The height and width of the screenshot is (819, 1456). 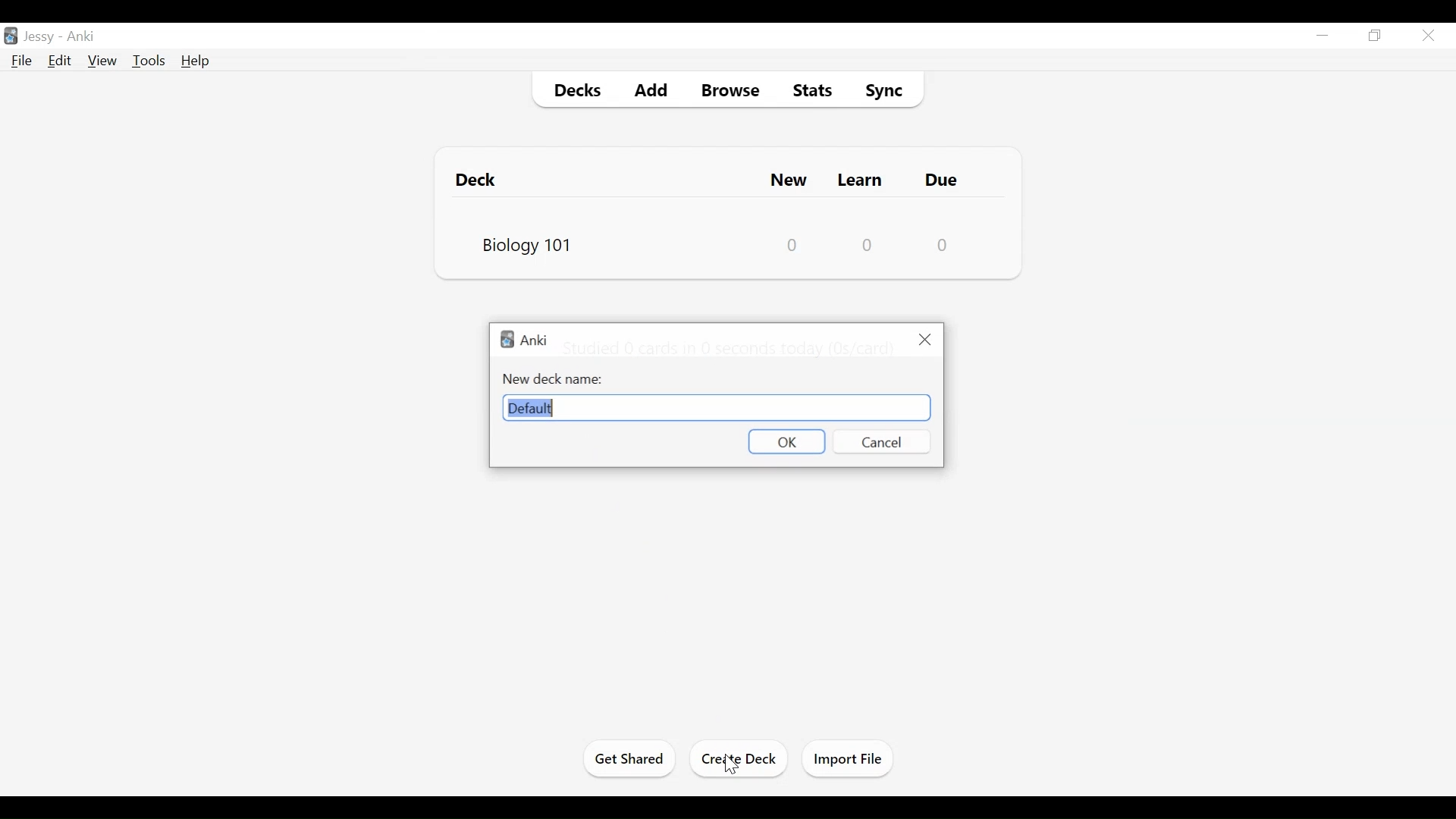 What do you see at coordinates (944, 180) in the screenshot?
I see `Due Card` at bounding box center [944, 180].